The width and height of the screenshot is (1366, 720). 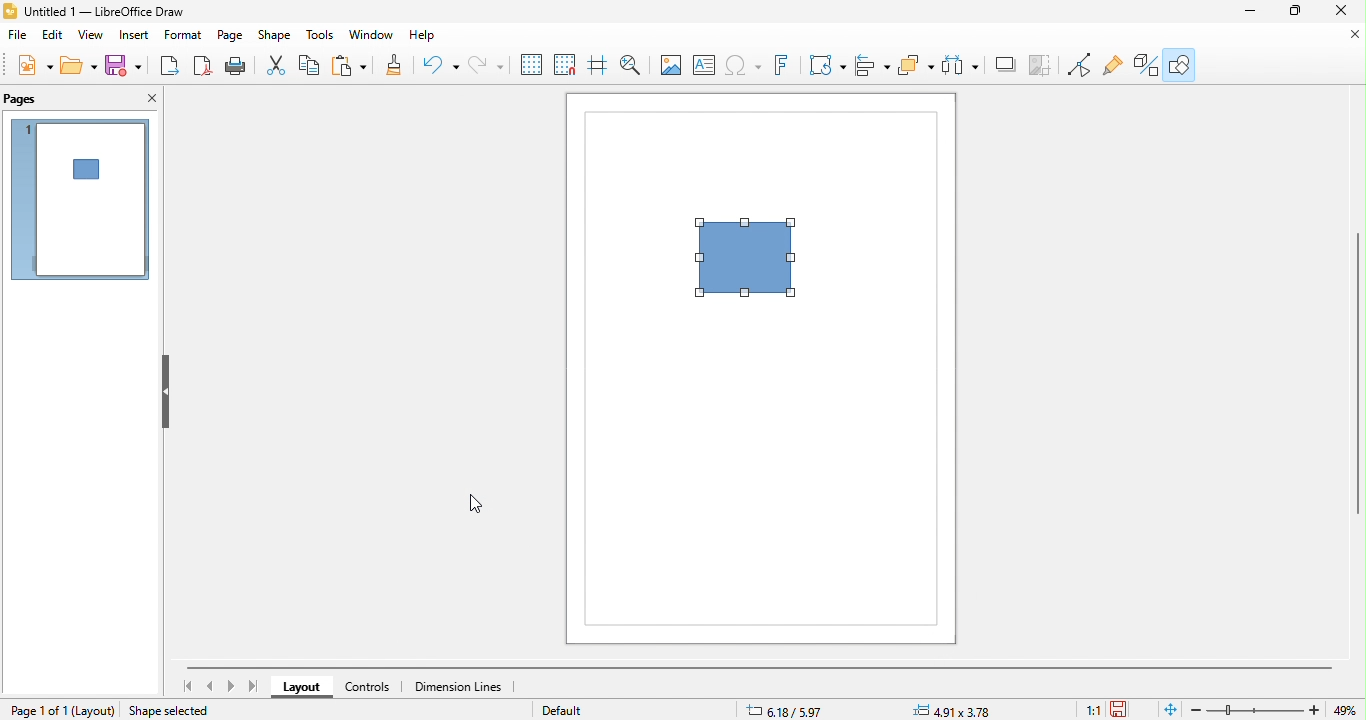 I want to click on helplines while moving, so click(x=603, y=66).